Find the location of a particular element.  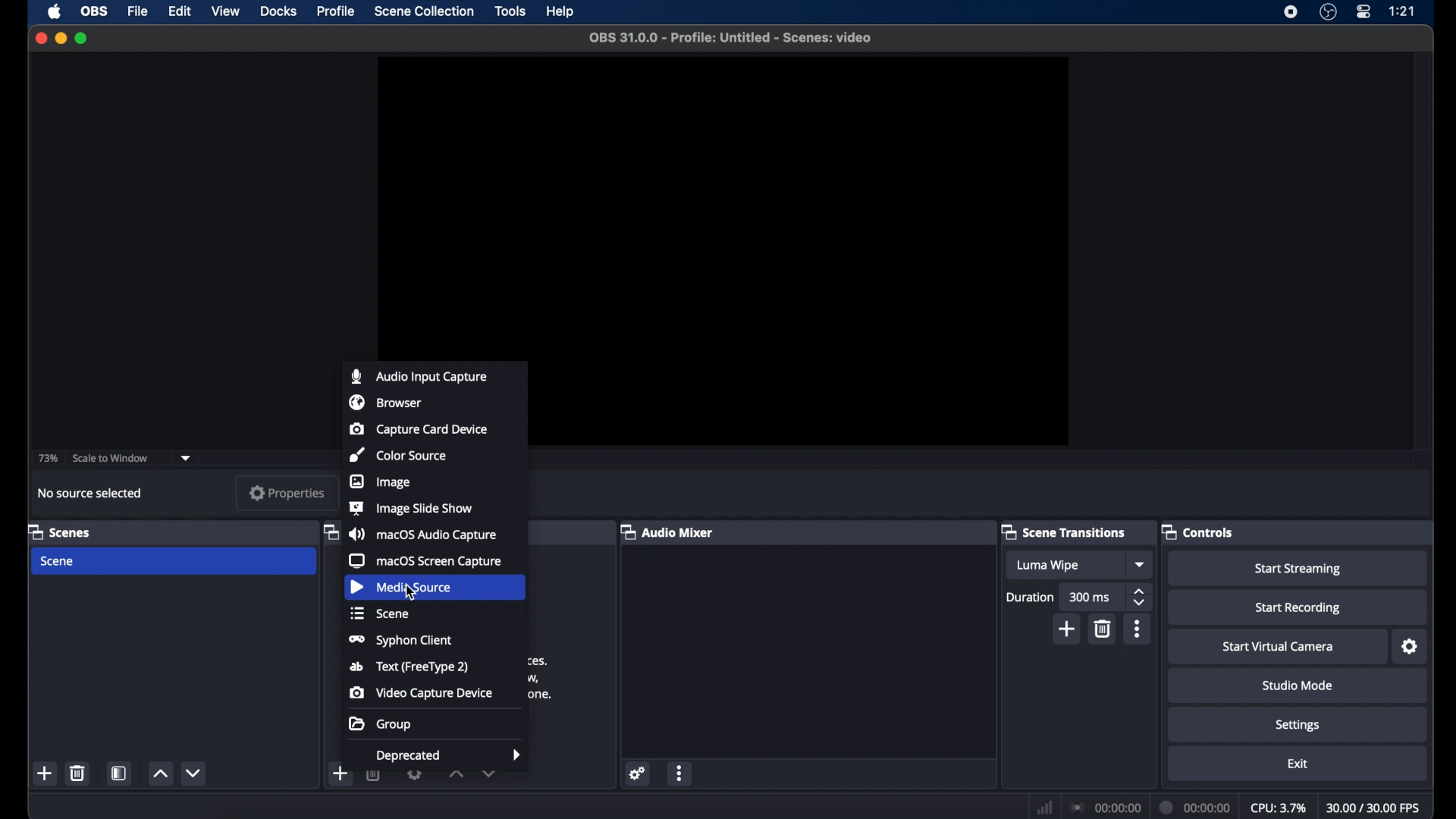

audio input capture is located at coordinates (419, 377).